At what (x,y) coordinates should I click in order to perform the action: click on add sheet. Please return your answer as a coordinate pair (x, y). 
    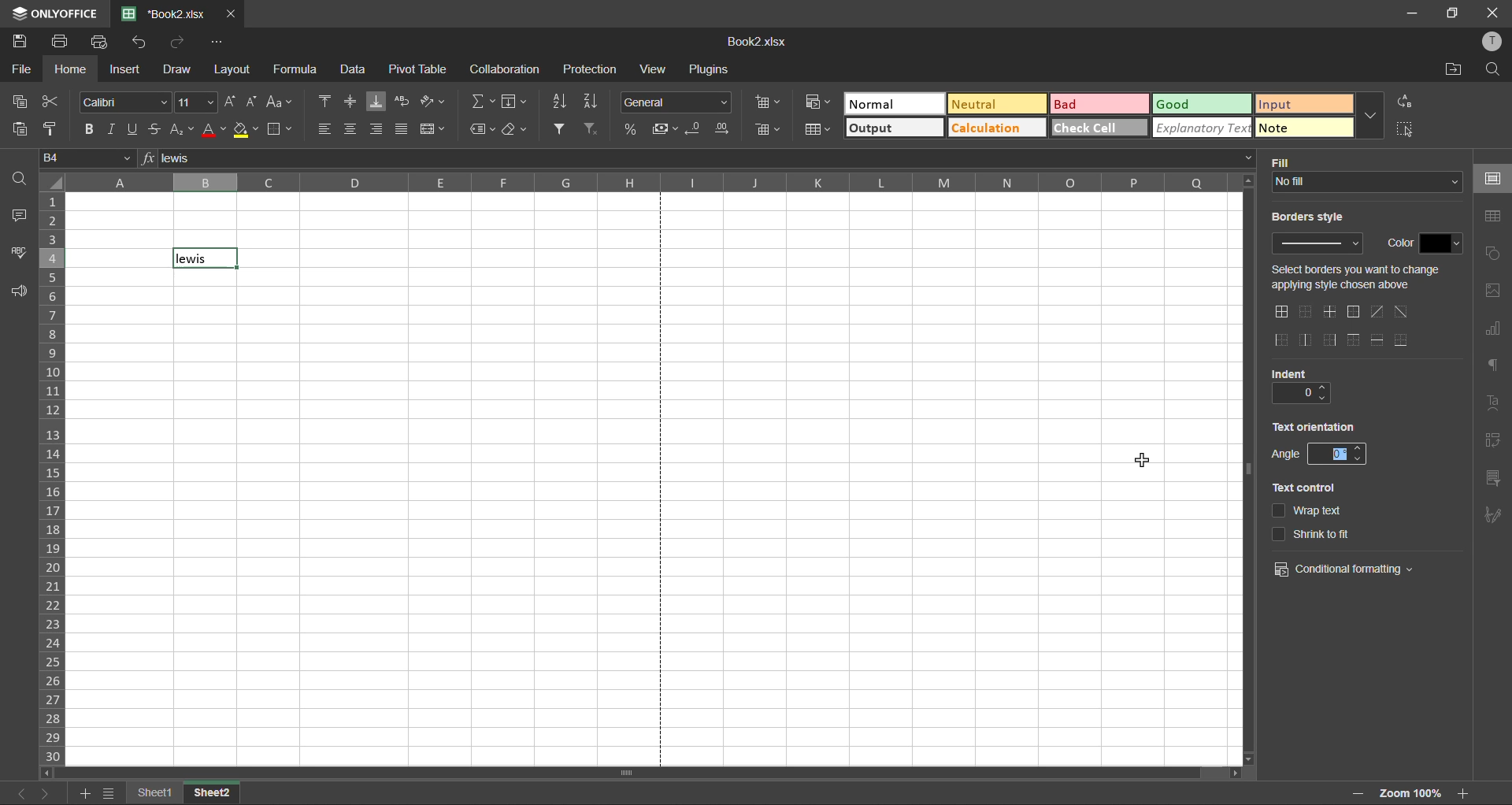
    Looking at the image, I should click on (84, 793).